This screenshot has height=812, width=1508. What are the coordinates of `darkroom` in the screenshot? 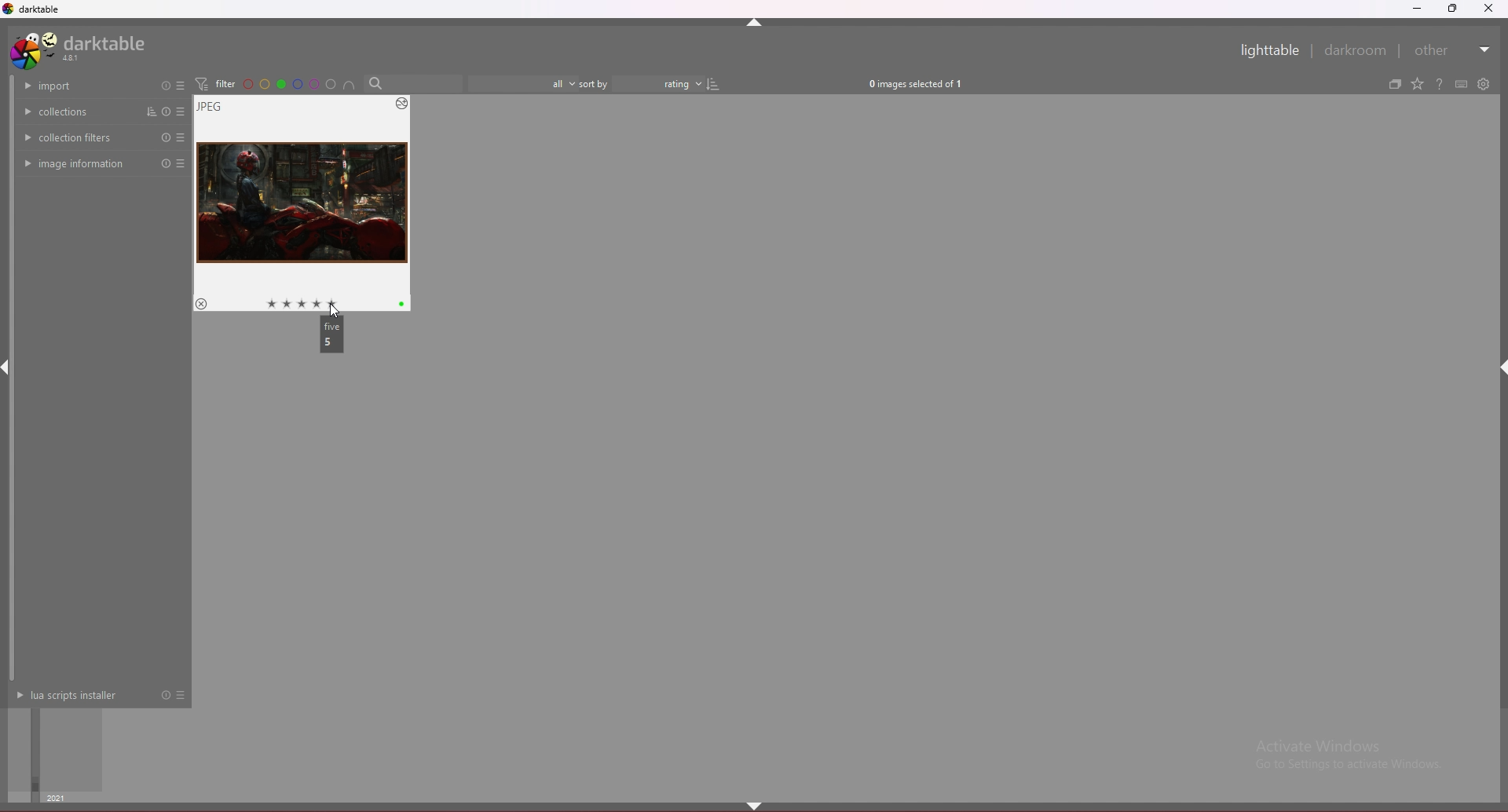 It's located at (1356, 51).